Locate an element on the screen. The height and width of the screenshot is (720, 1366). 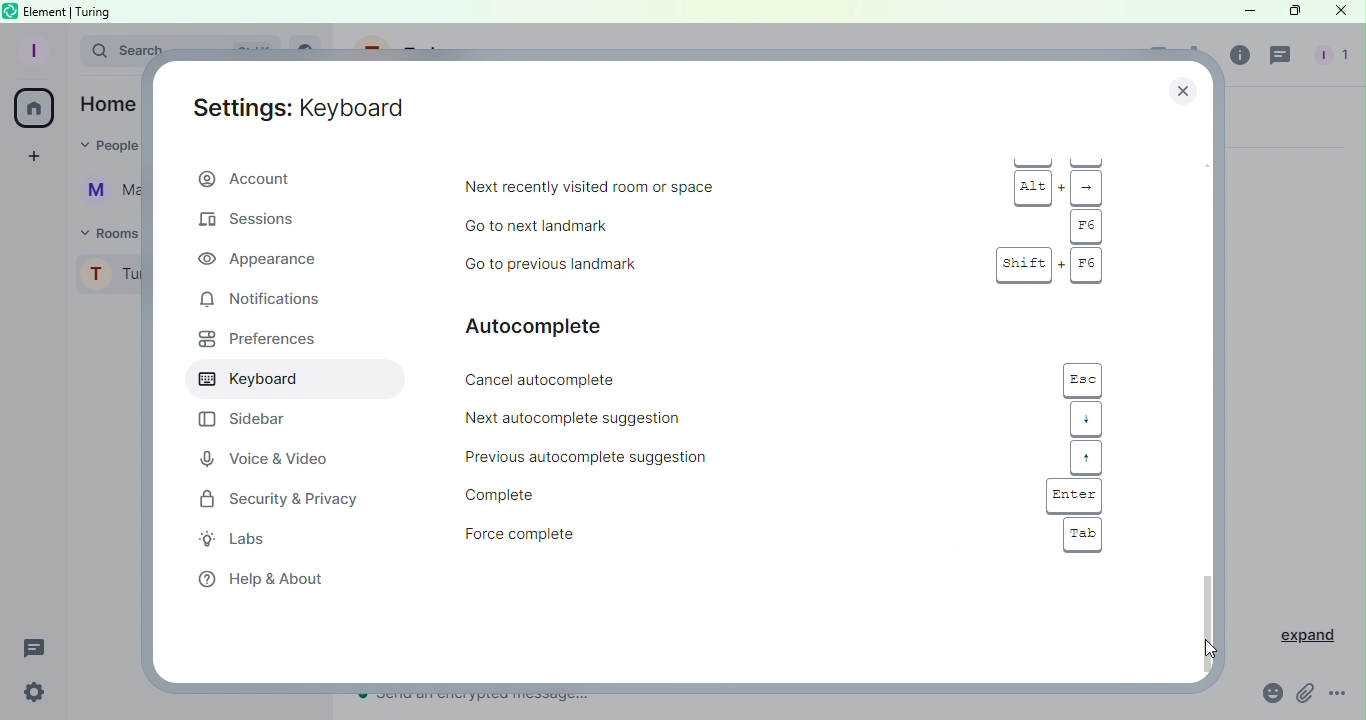
Emoji is located at coordinates (1270, 693).